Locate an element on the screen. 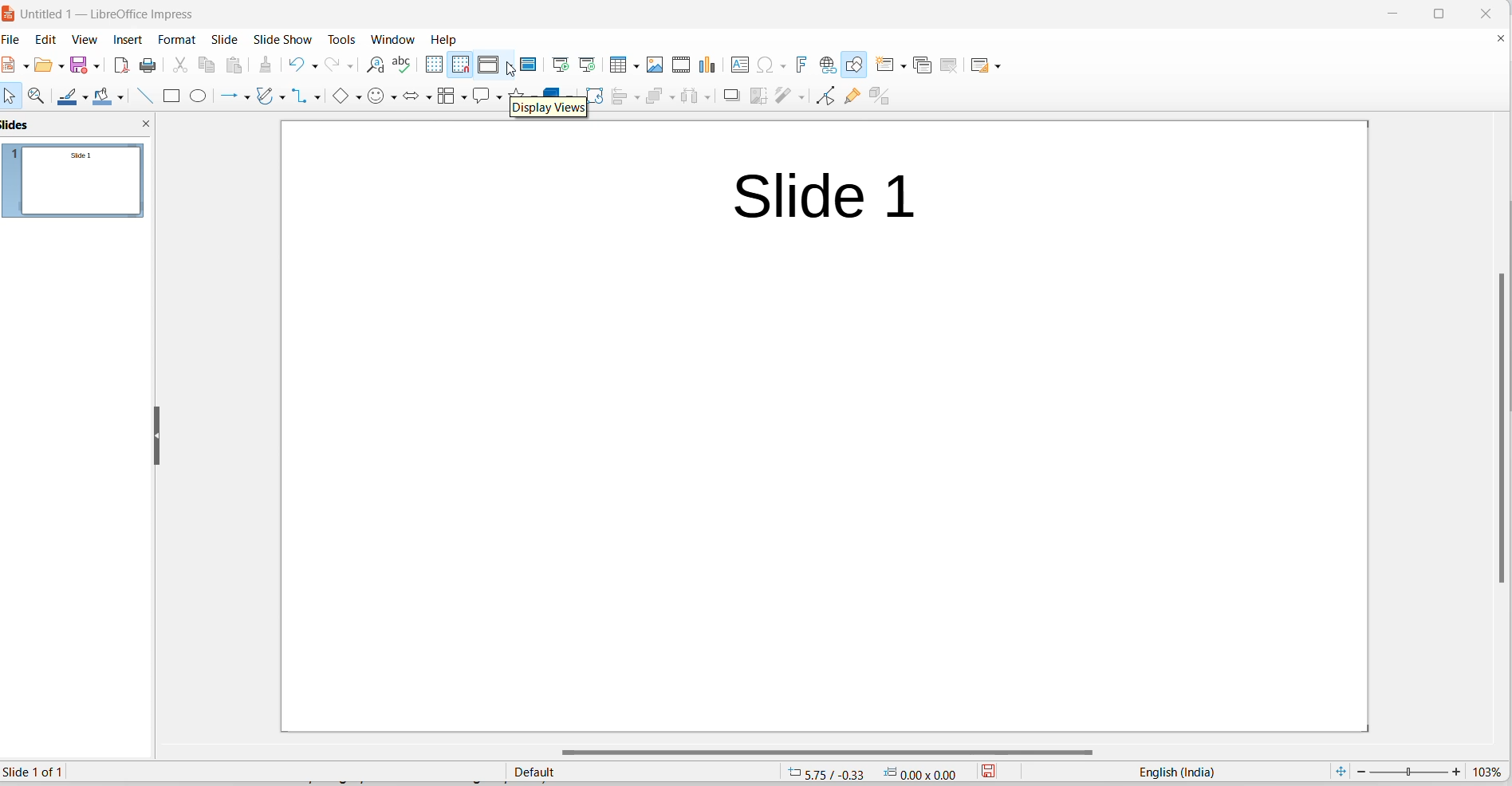  flowcharts is located at coordinates (445, 99).